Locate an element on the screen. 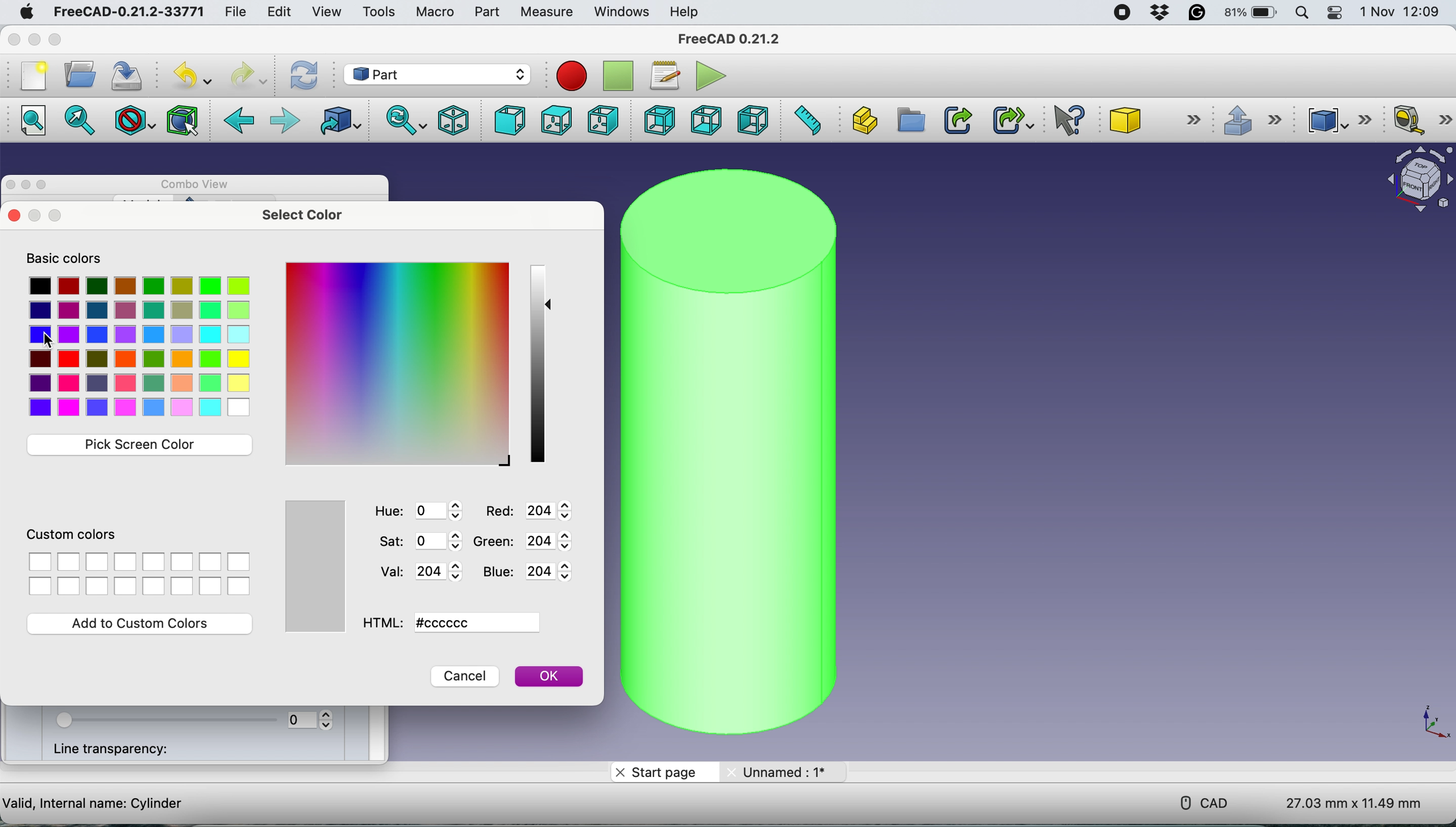  bounding box is located at coordinates (182, 120).